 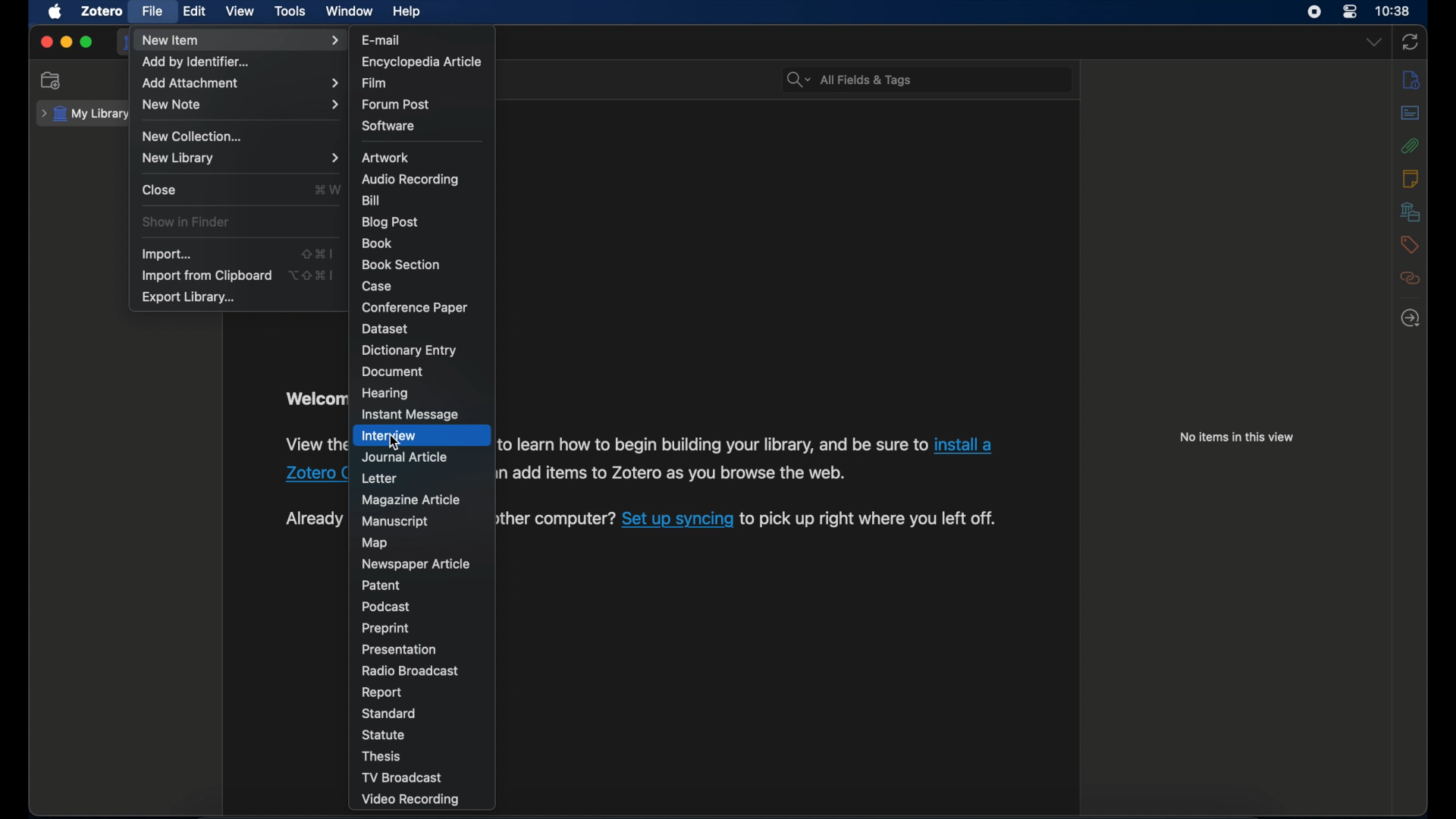 What do you see at coordinates (1410, 318) in the screenshot?
I see `locate` at bounding box center [1410, 318].